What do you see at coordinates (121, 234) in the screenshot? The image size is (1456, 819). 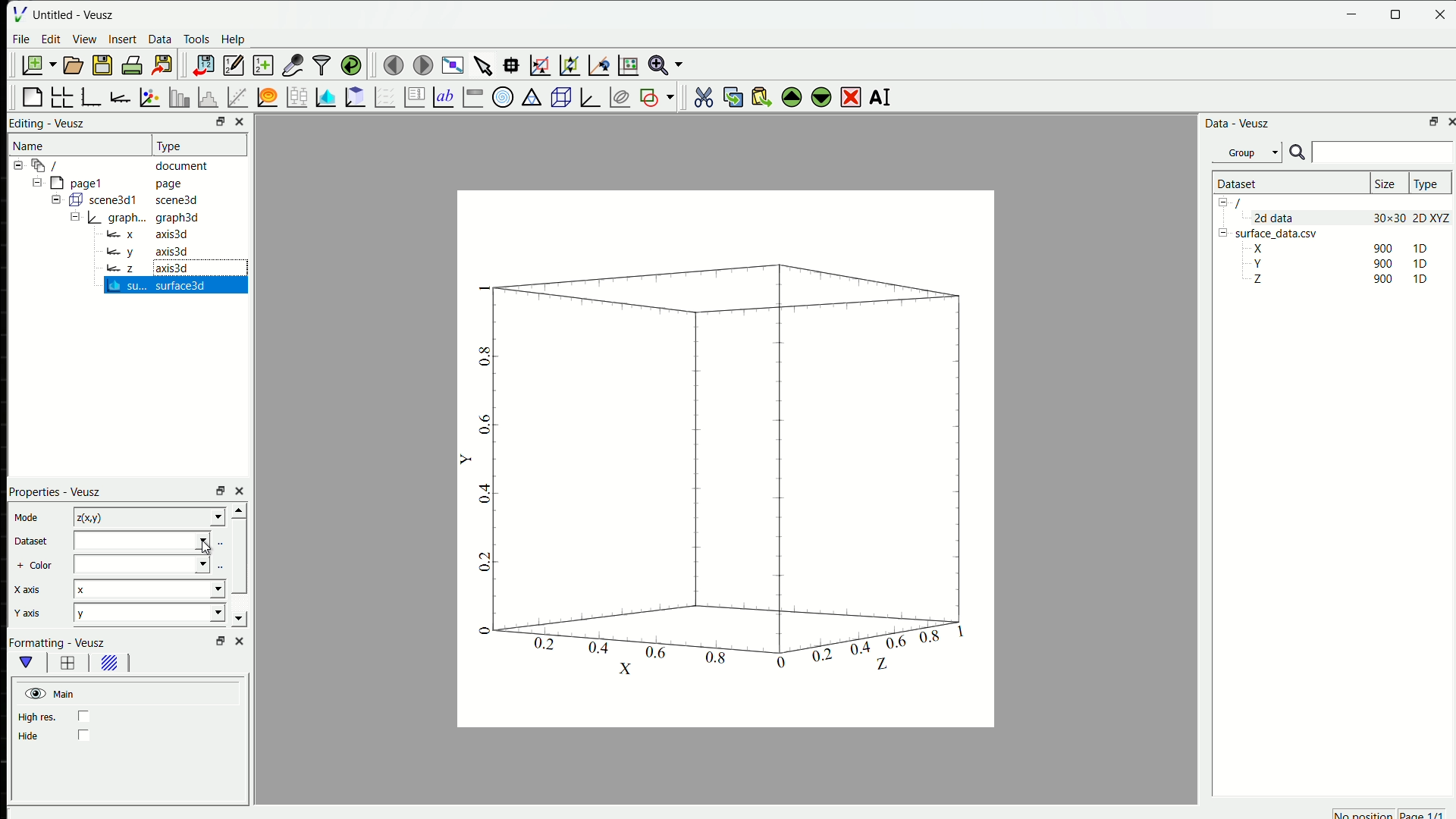 I see `x` at bounding box center [121, 234].